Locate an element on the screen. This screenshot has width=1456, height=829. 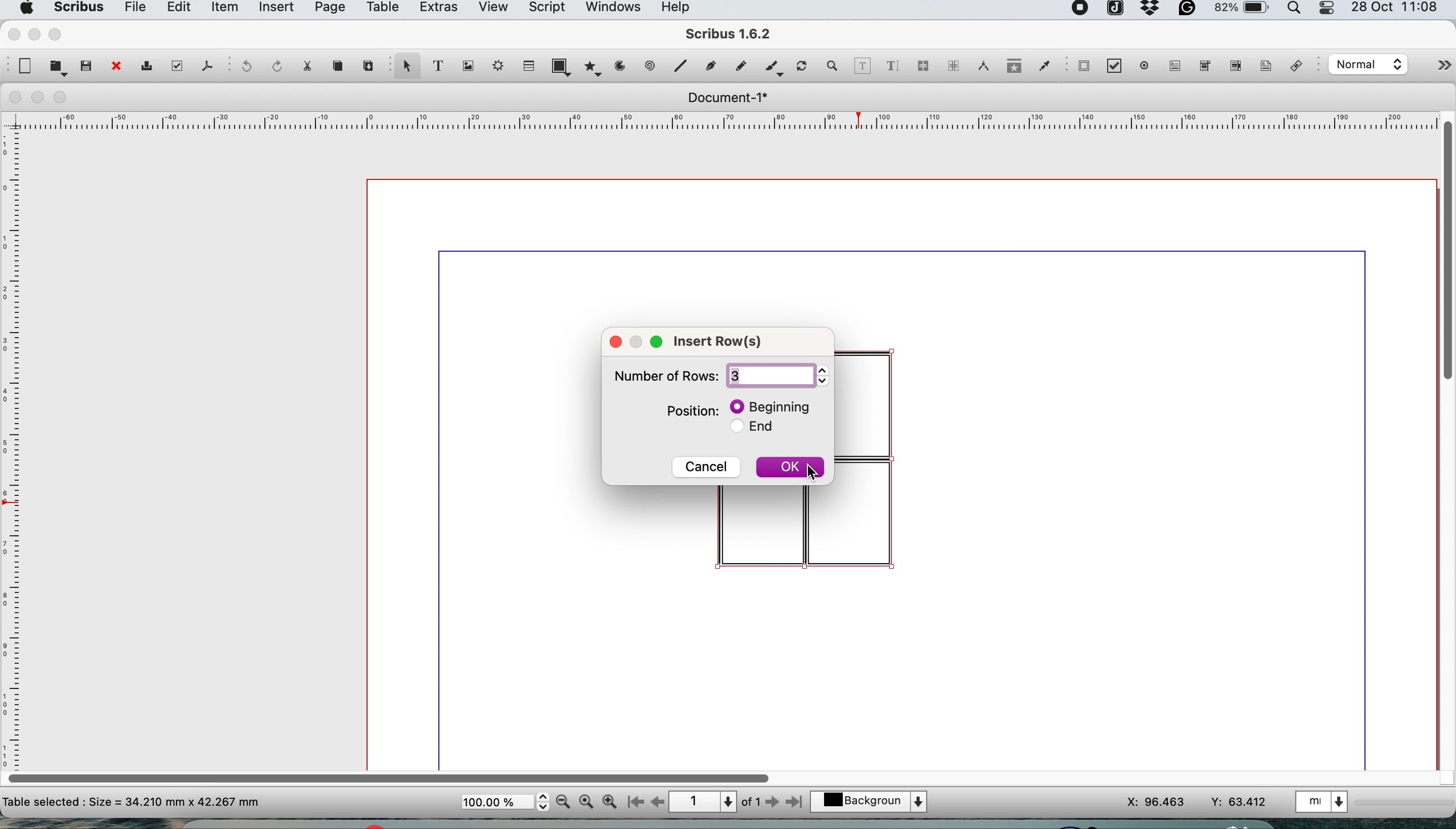
scribus is located at coordinates (77, 9).